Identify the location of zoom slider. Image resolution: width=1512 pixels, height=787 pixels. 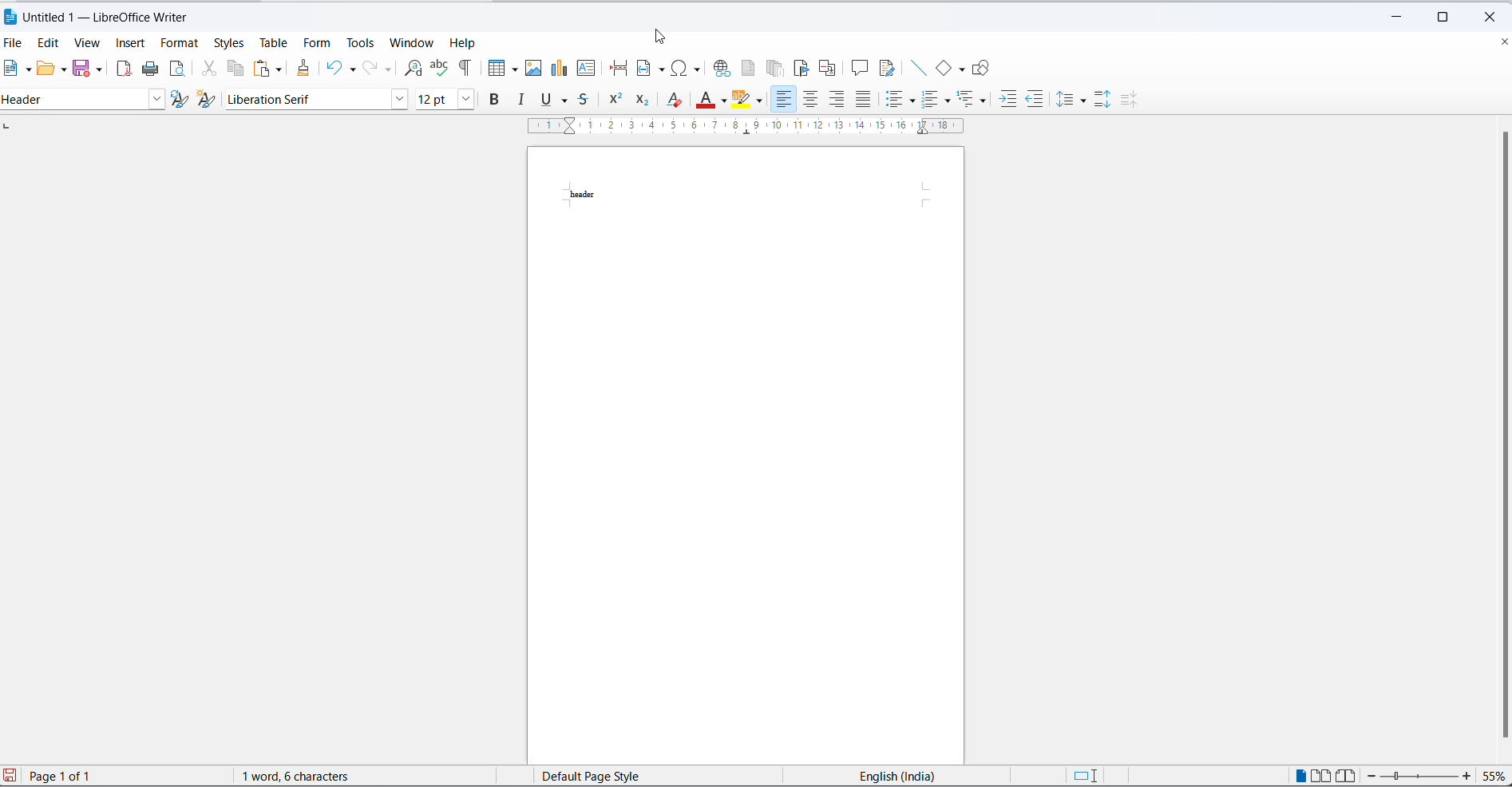
(1421, 777).